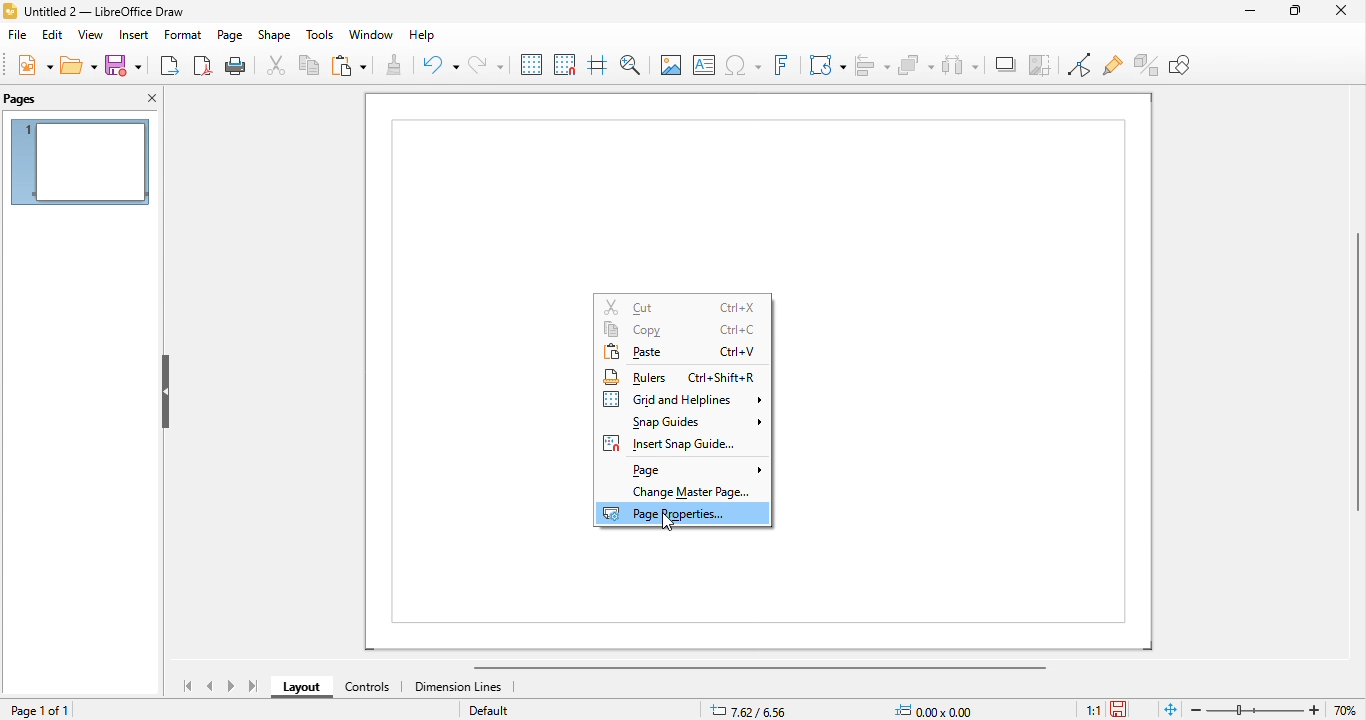  What do you see at coordinates (235, 66) in the screenshot?
I see `print` at bounding box center [235, 66].